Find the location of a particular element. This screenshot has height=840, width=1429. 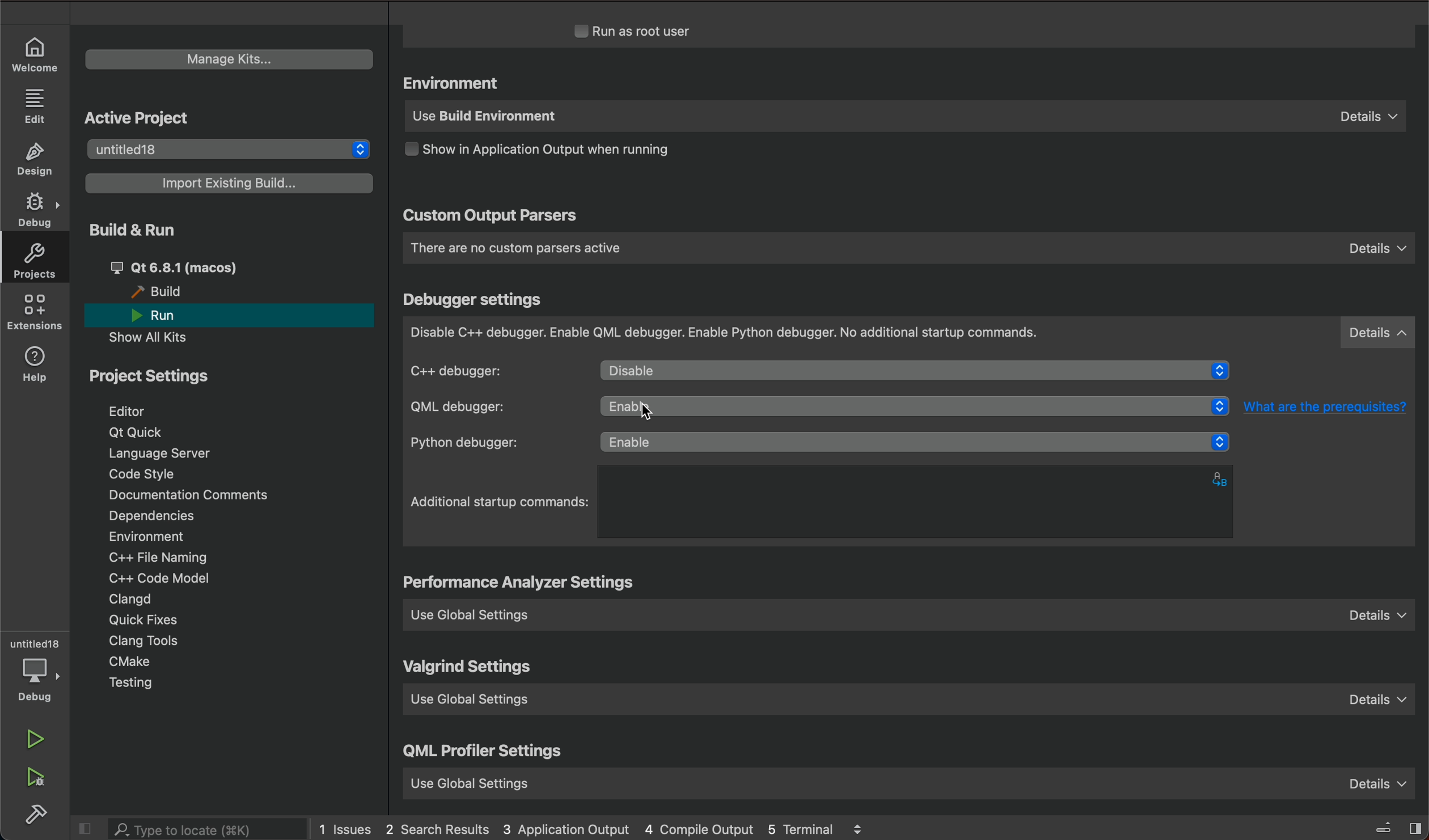

startup  is located at coordinates (501, 502).